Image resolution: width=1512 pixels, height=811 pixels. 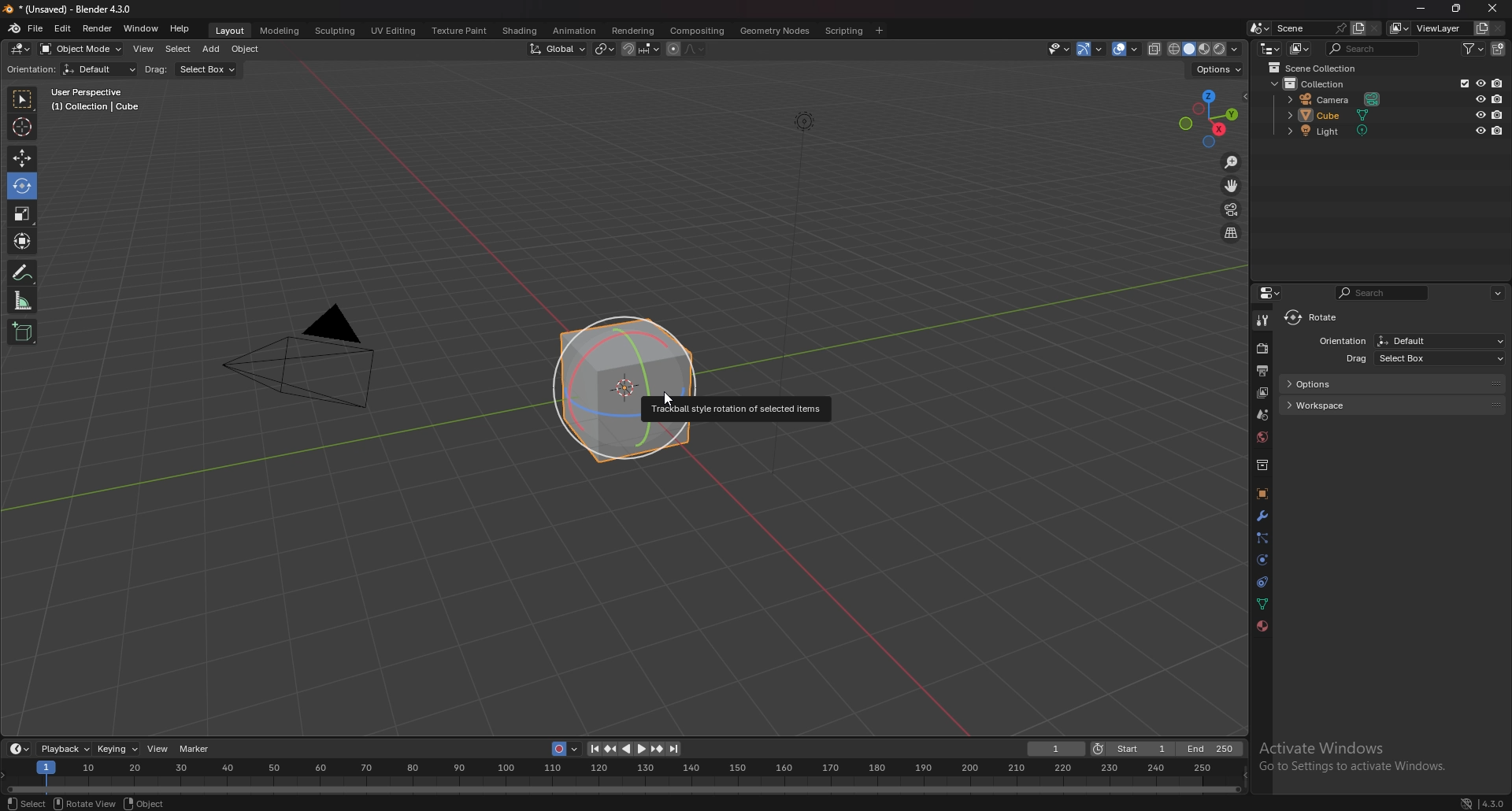 What do you see at coordinates (22, 100) in the screenshot?
I see `selector` at bounding box center [22, 100].